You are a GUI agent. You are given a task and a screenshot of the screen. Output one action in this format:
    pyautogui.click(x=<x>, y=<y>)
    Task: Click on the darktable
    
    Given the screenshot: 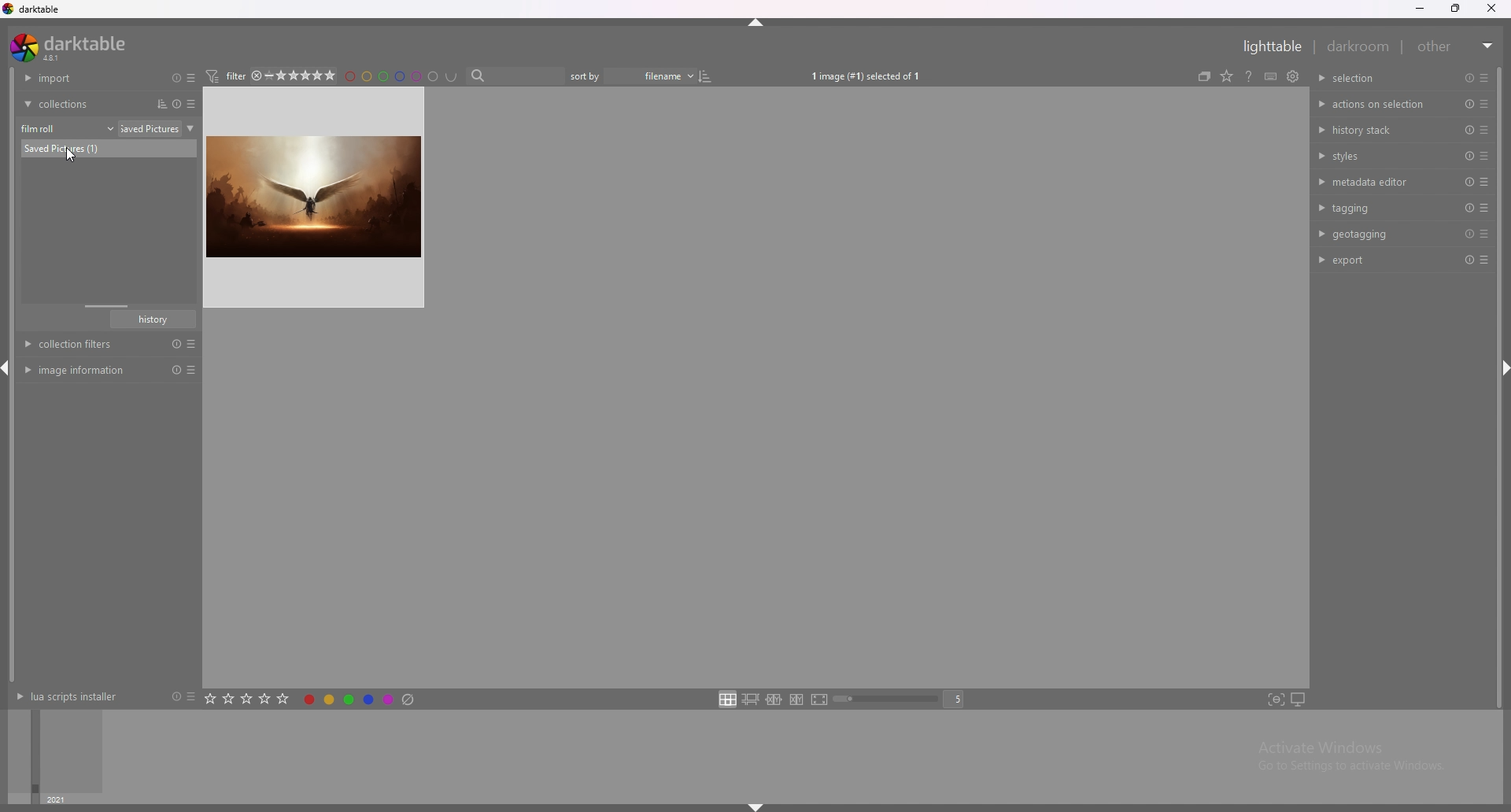 What is the action you would take?
    pyautogui.click(x=33, y=9)
    